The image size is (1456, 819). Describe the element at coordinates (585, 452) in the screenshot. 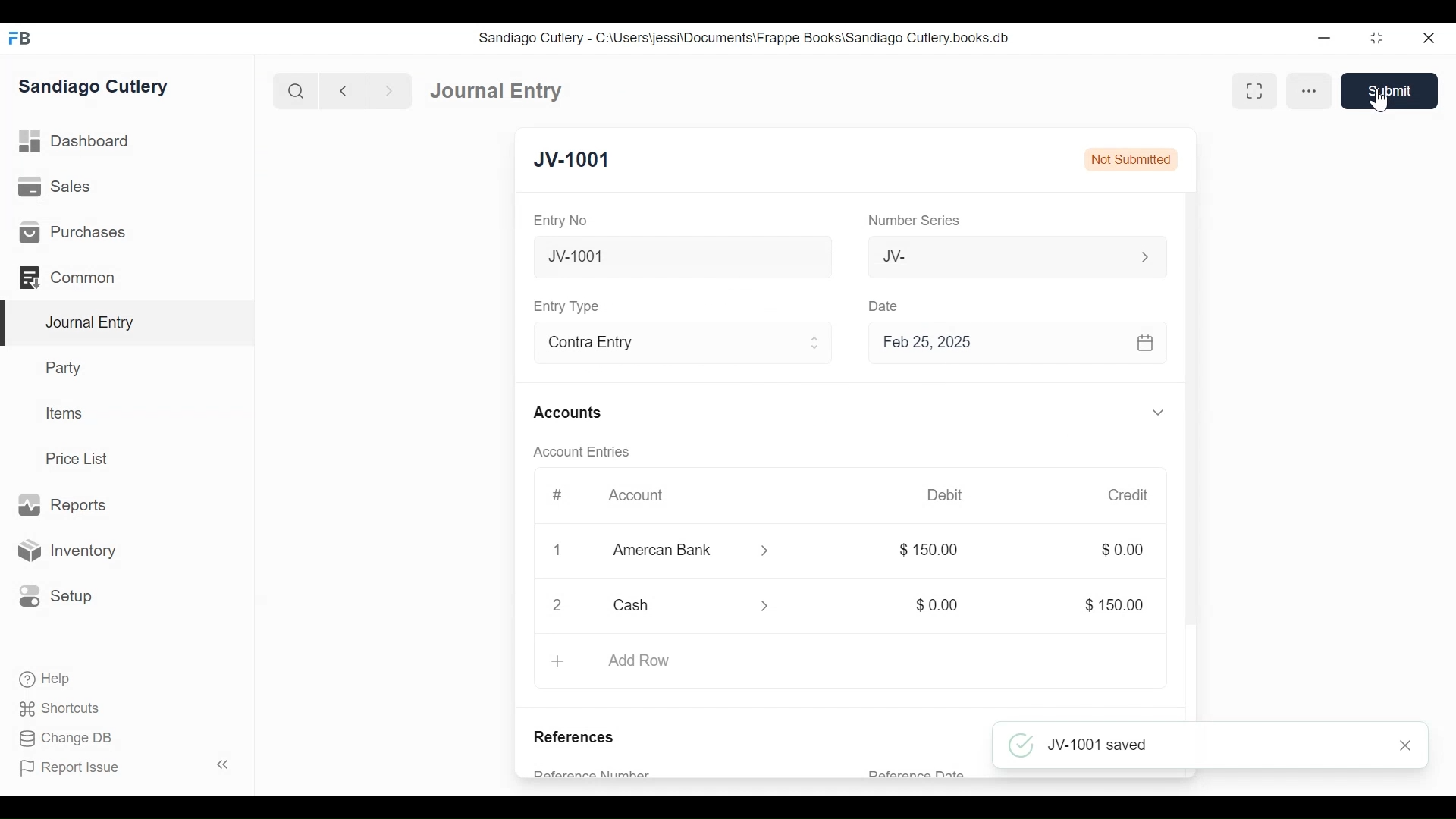

I see `Account Entries` at that location.